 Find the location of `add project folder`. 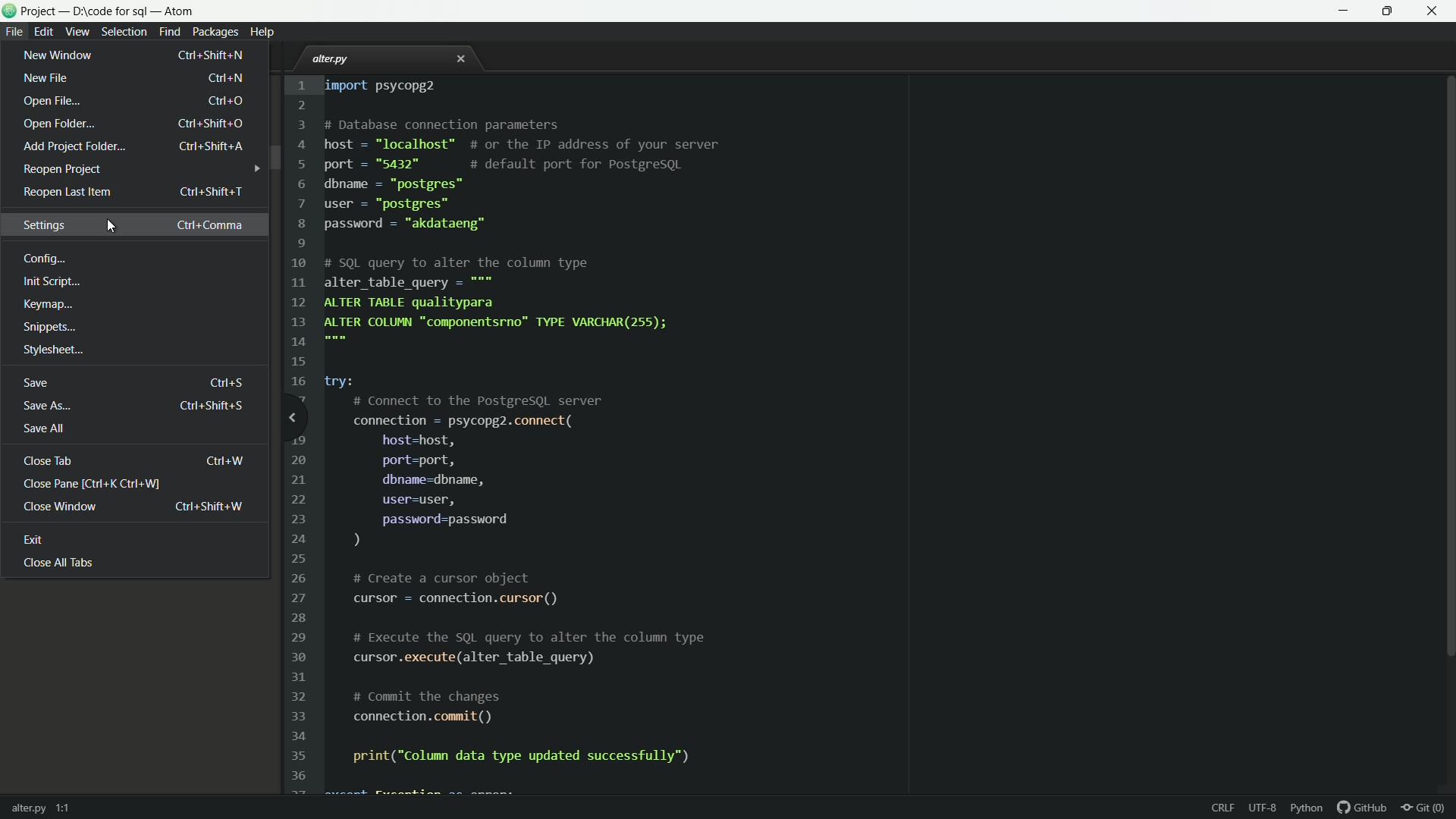

add project folder is located at coordinates (133, 147).